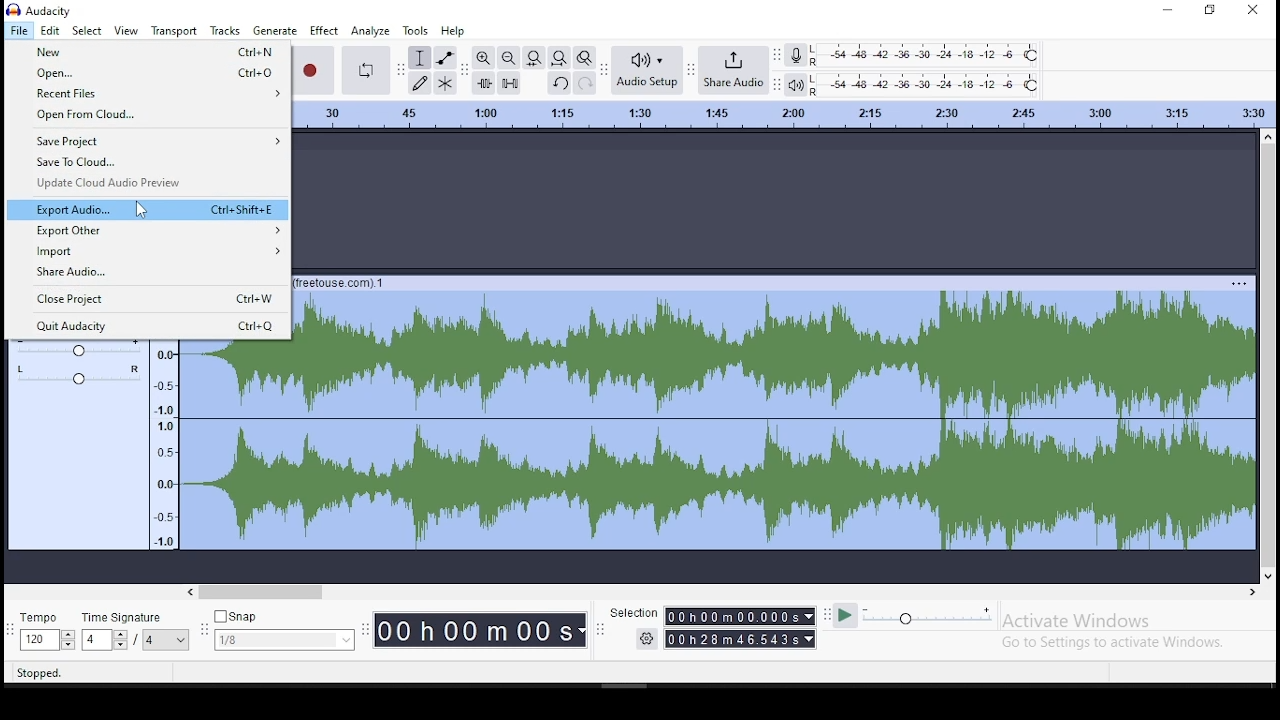 The image size is (1280, 720). I want to click on redo, so click(583, 83).